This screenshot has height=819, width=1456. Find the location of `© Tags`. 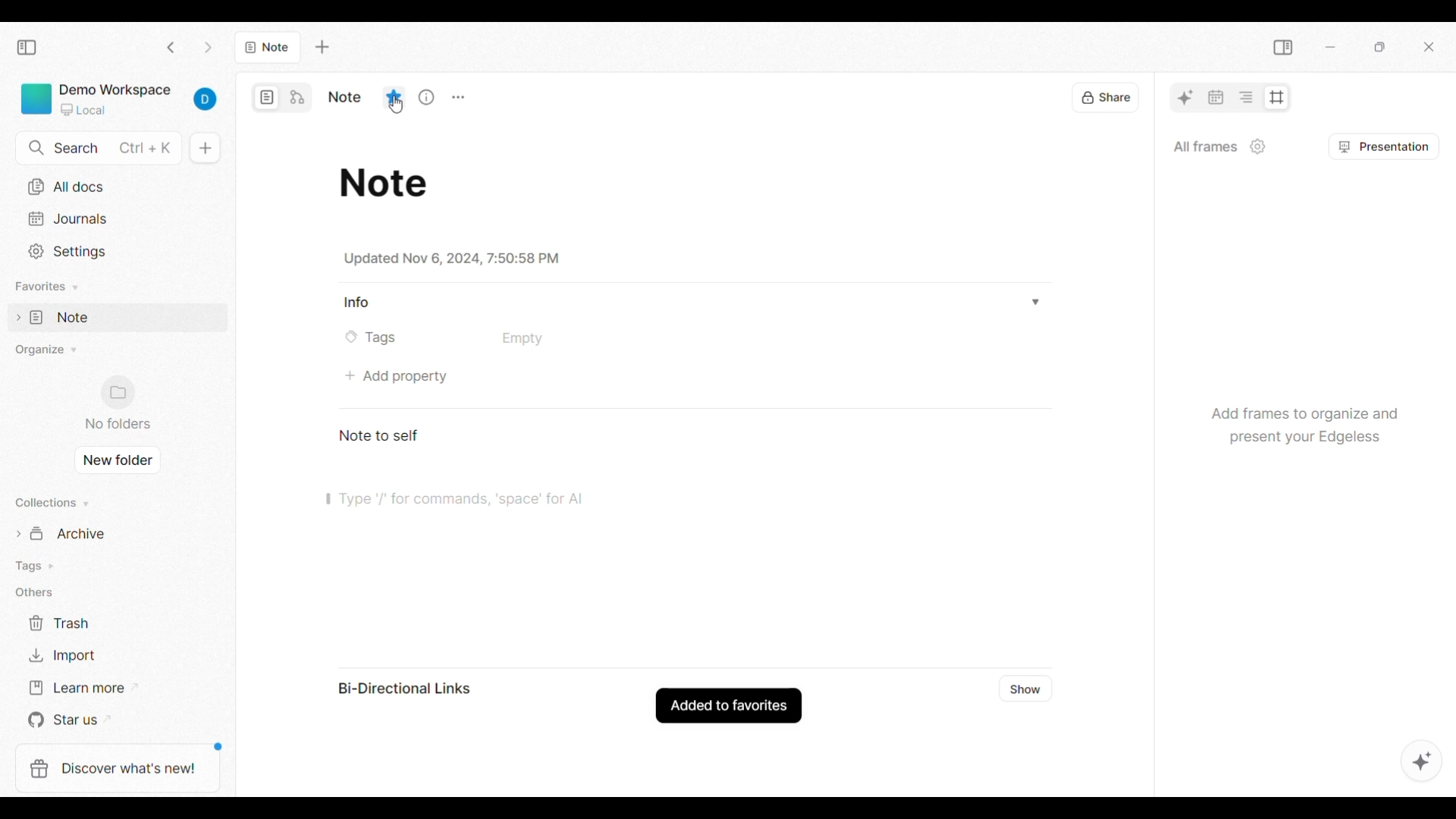

© Tags is located at coordinates (375, 337).